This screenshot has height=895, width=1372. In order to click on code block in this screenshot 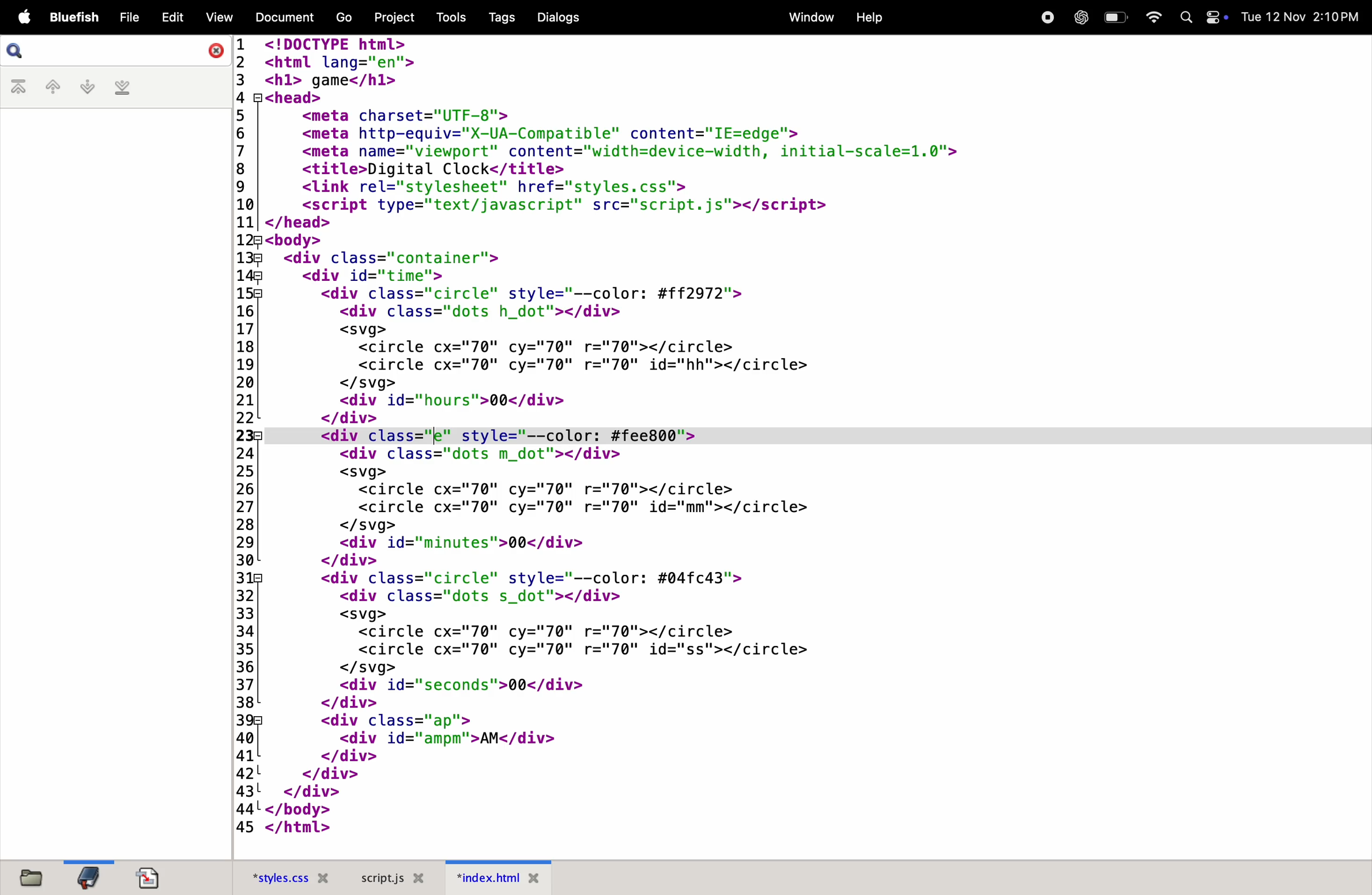, I will do `click(682, 229)`.